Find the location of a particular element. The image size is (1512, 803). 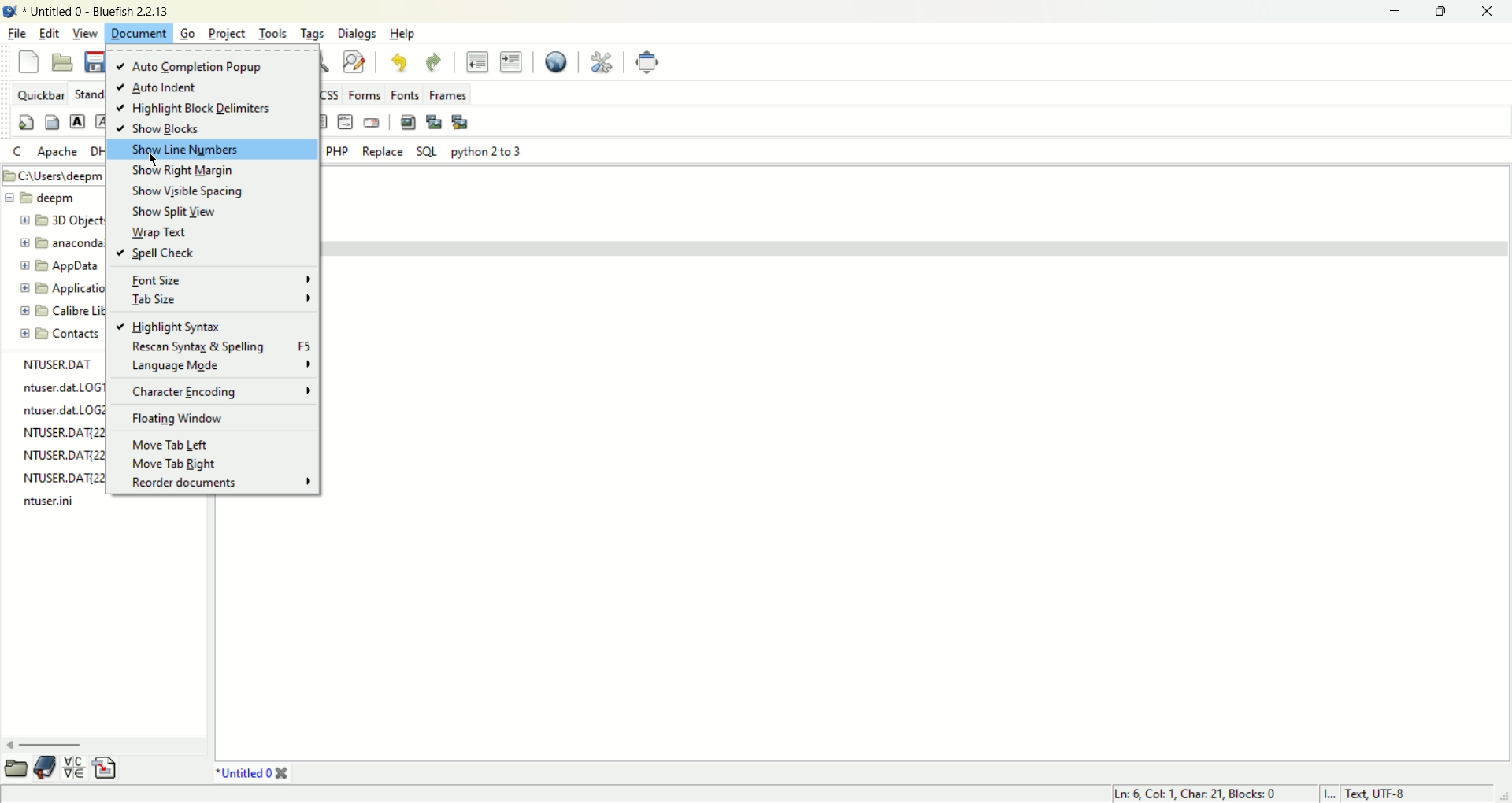

close is located at coordinates (1491, 13).